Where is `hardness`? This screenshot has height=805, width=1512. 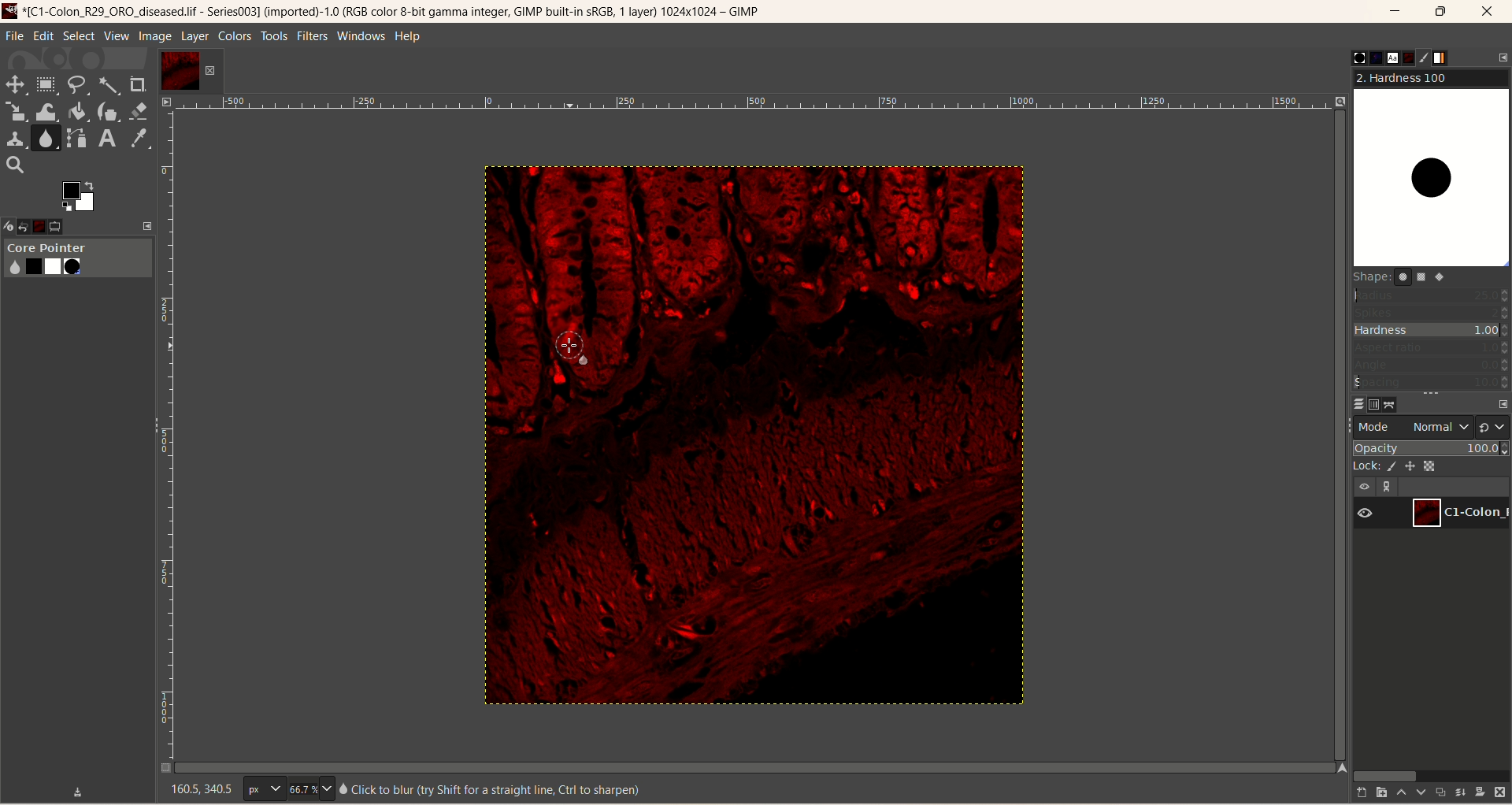
hardness is located at coordinates (1432, 332).